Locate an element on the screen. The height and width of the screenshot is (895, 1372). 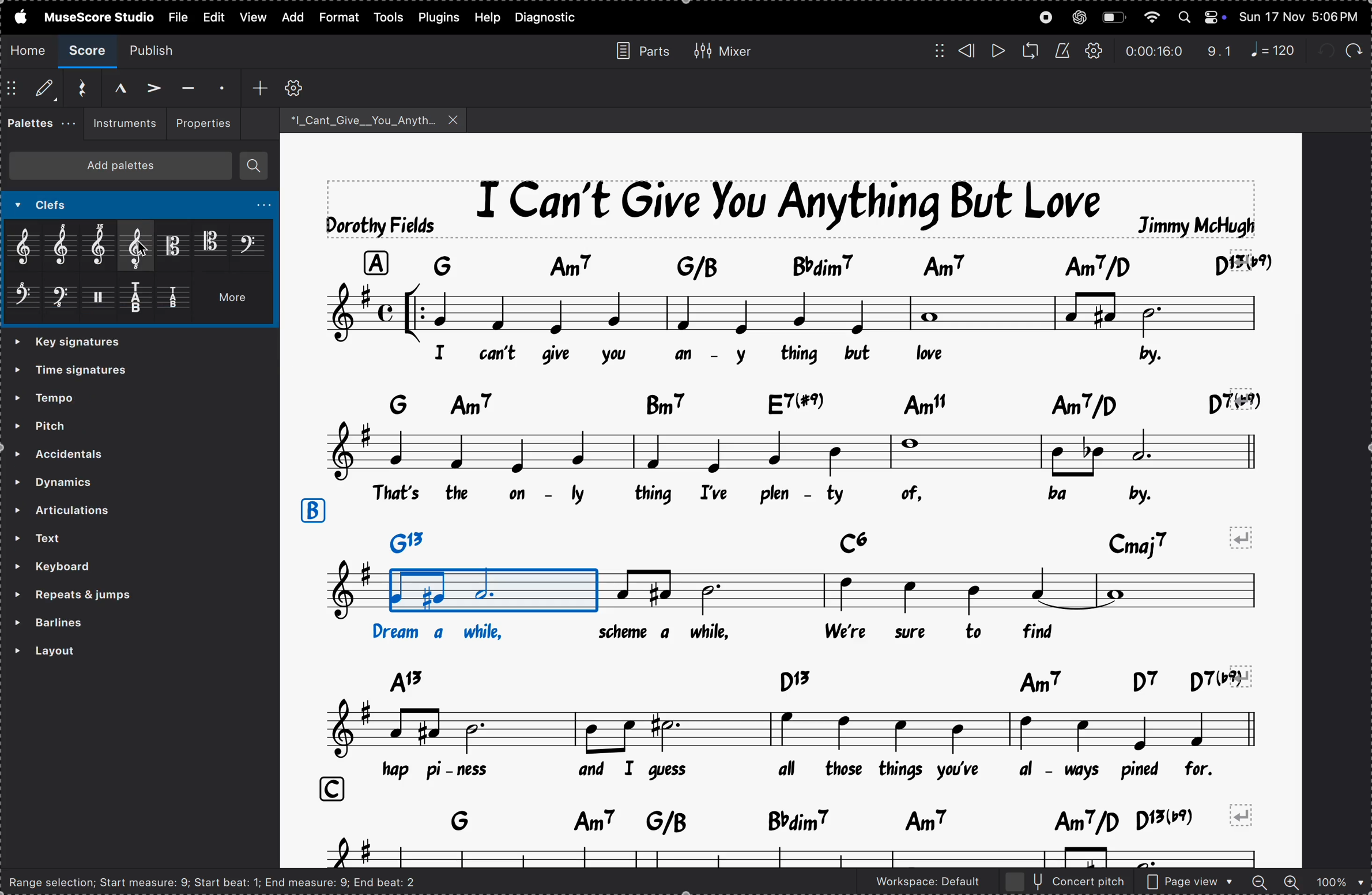
tablature is located at coordinates (142, 300).